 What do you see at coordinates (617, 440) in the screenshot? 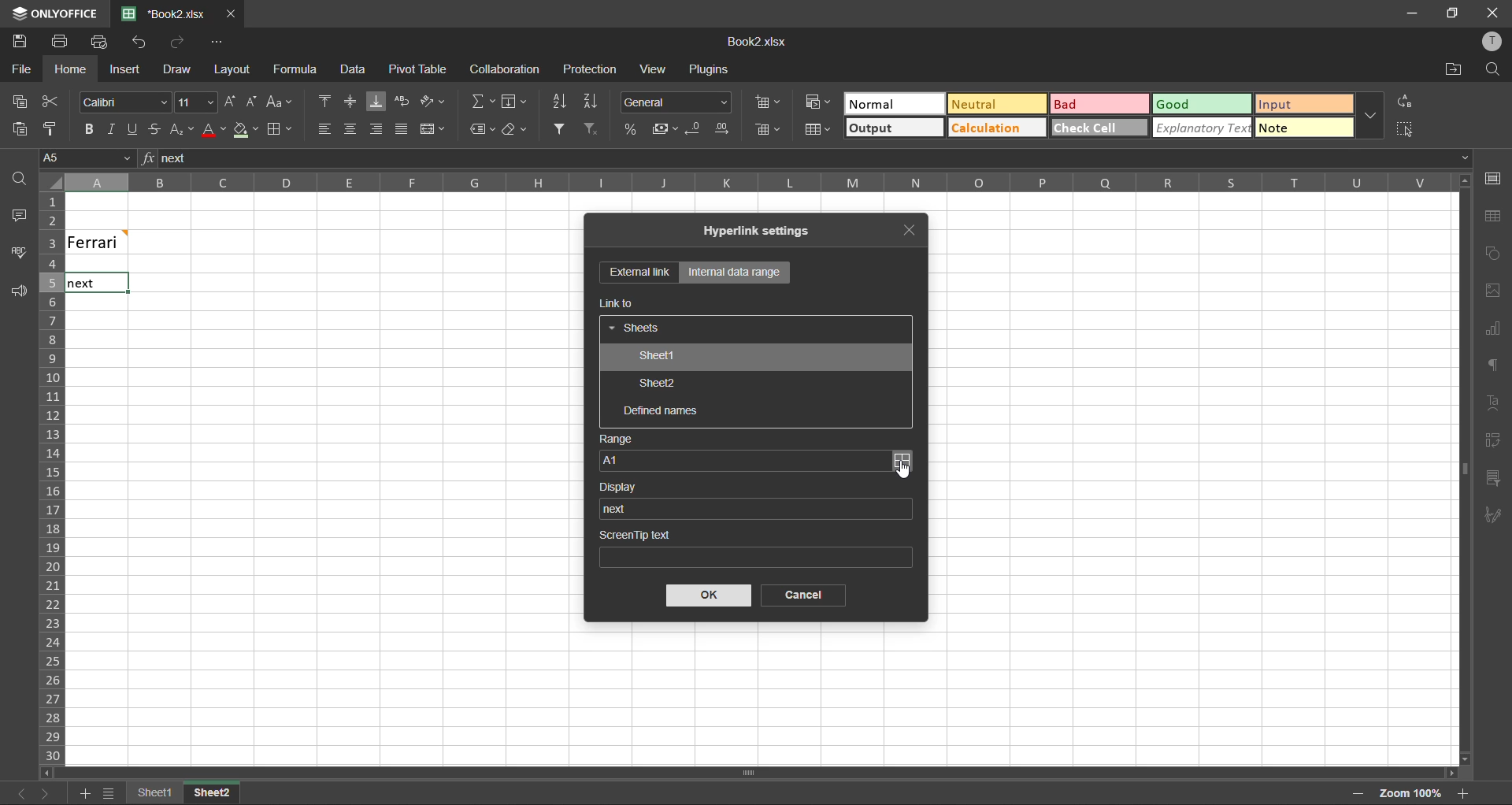
I see `range` at bounding box center [617, 440].